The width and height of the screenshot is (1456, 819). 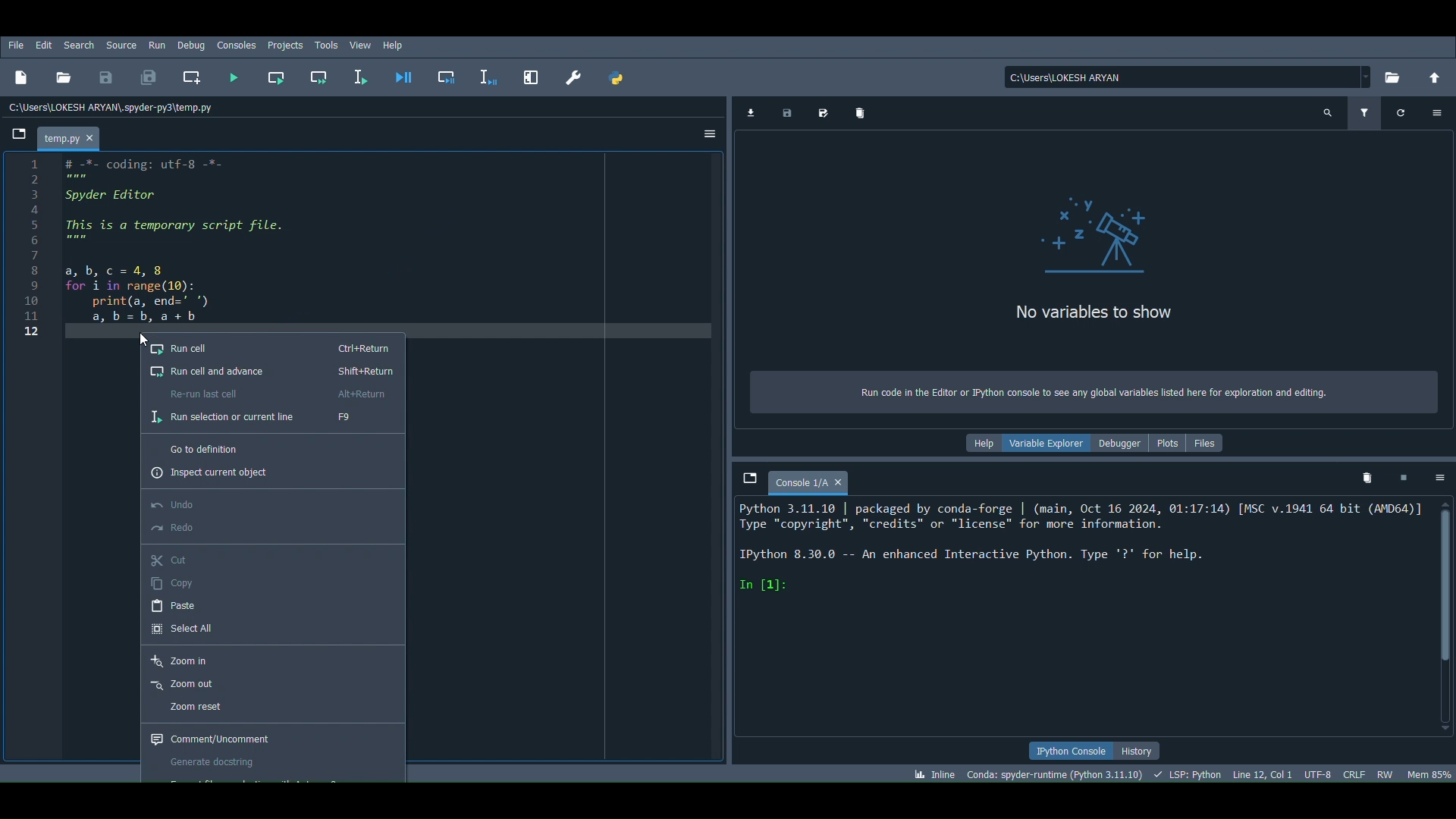 I want to click on Save file (Ctrl + S), so click(x=109, y=77).